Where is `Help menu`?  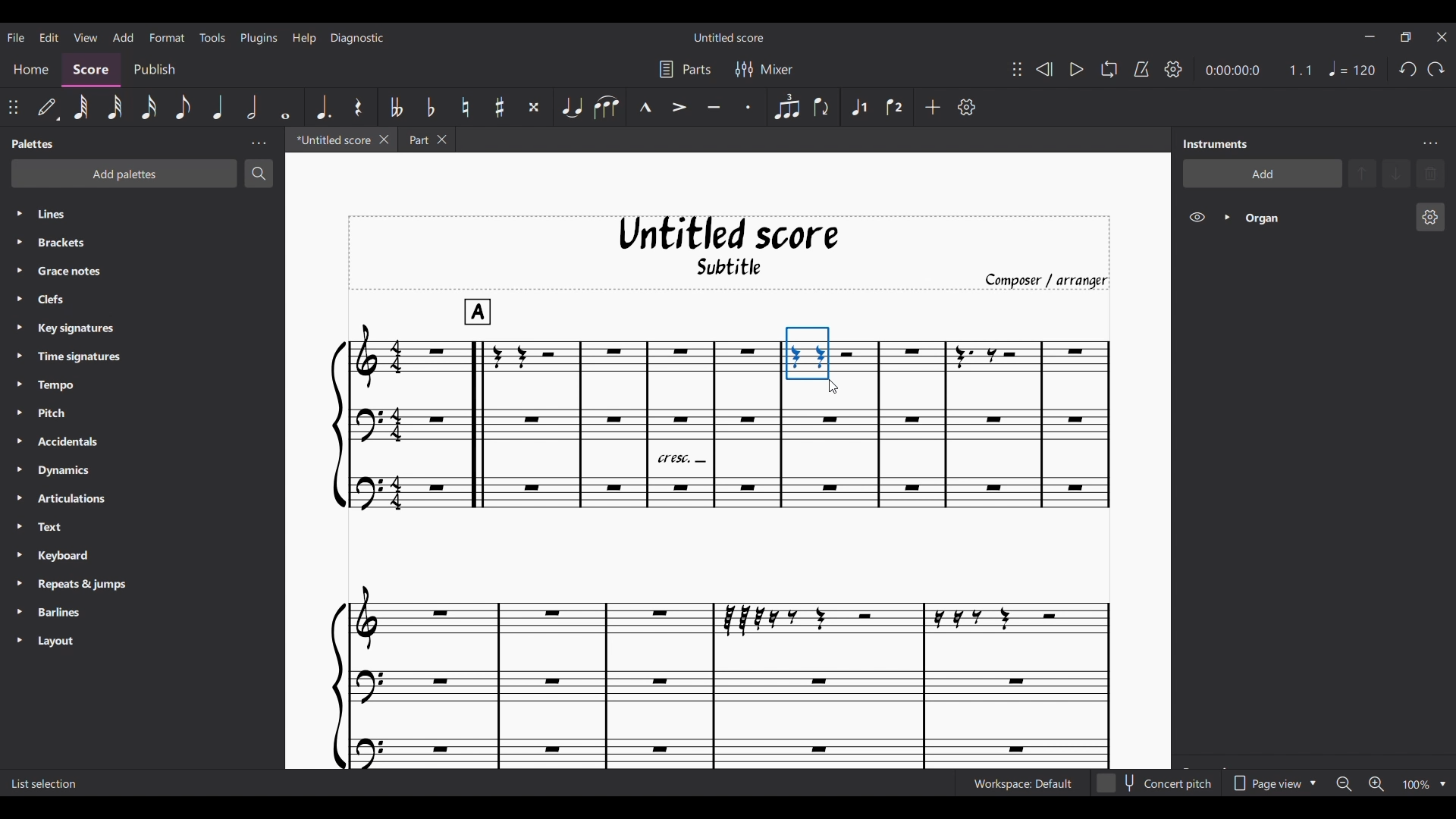 Help menu is located at coordinates (303, 38).